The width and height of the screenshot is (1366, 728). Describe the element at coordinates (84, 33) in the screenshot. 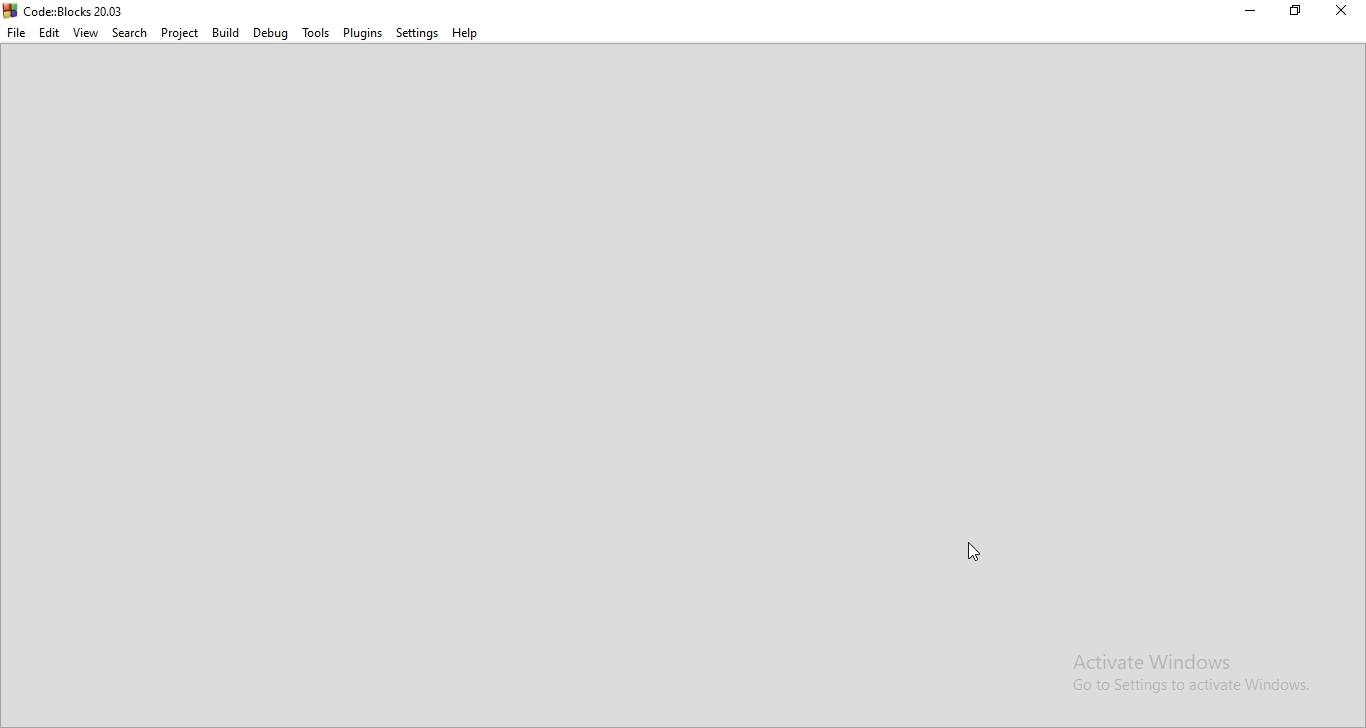

I see `View ` at that location.